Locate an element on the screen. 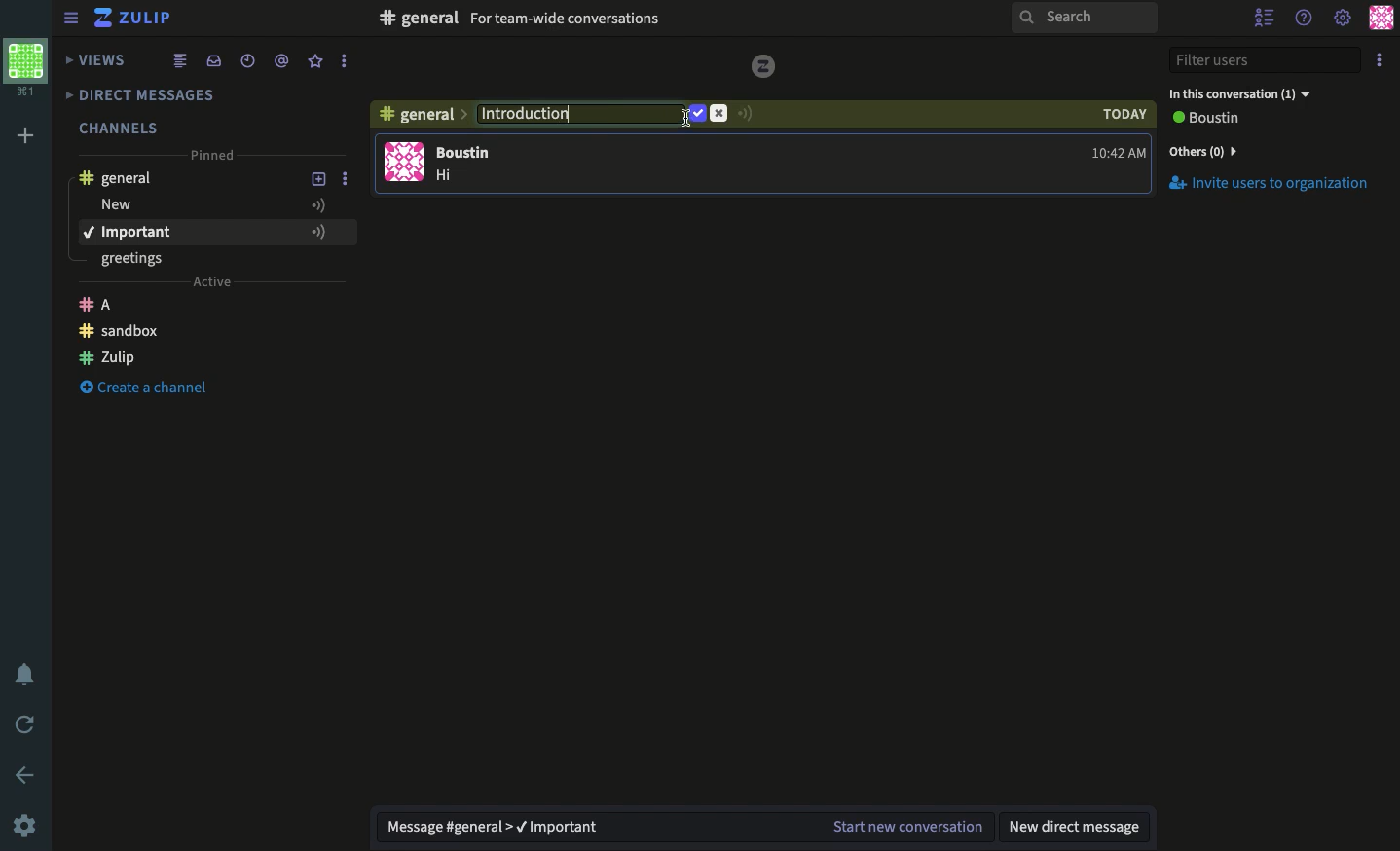  Signal is located at coordinates (746, 114).